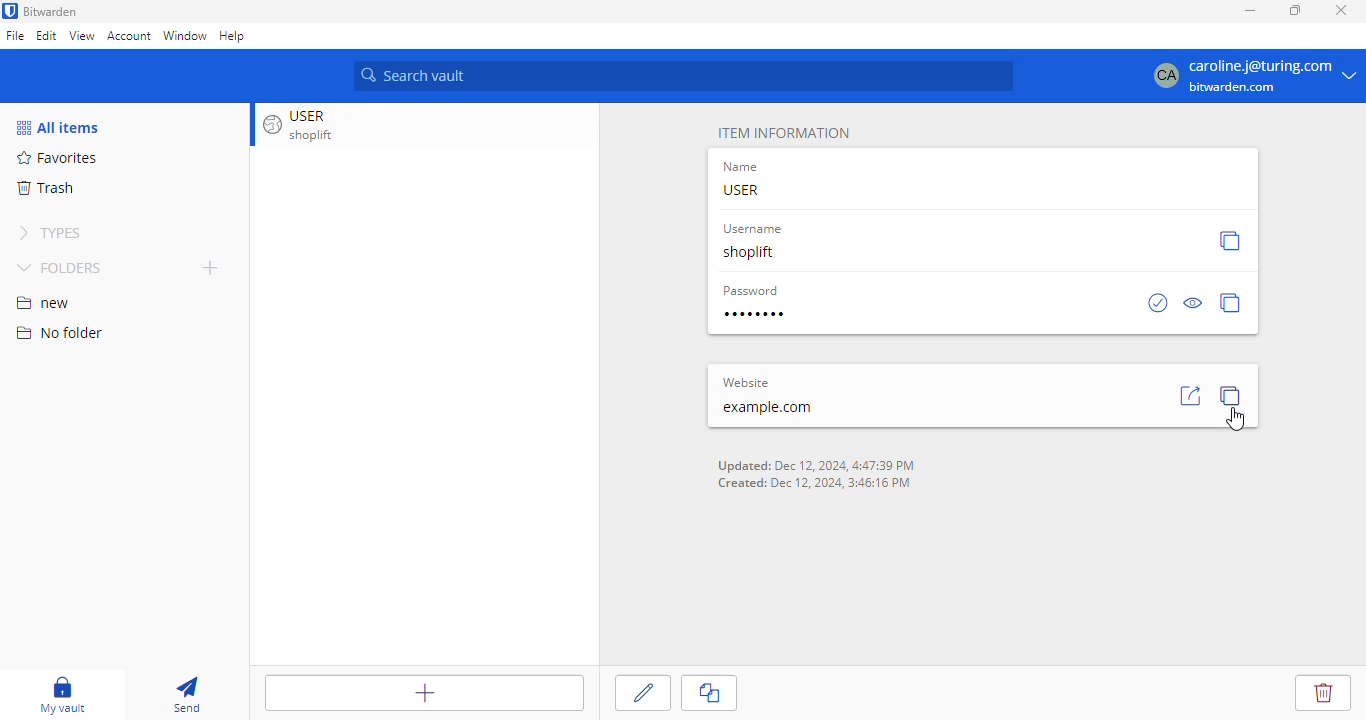 This screenshot has width=1366, height=720. I want to click on favorites, so click(57, 158).